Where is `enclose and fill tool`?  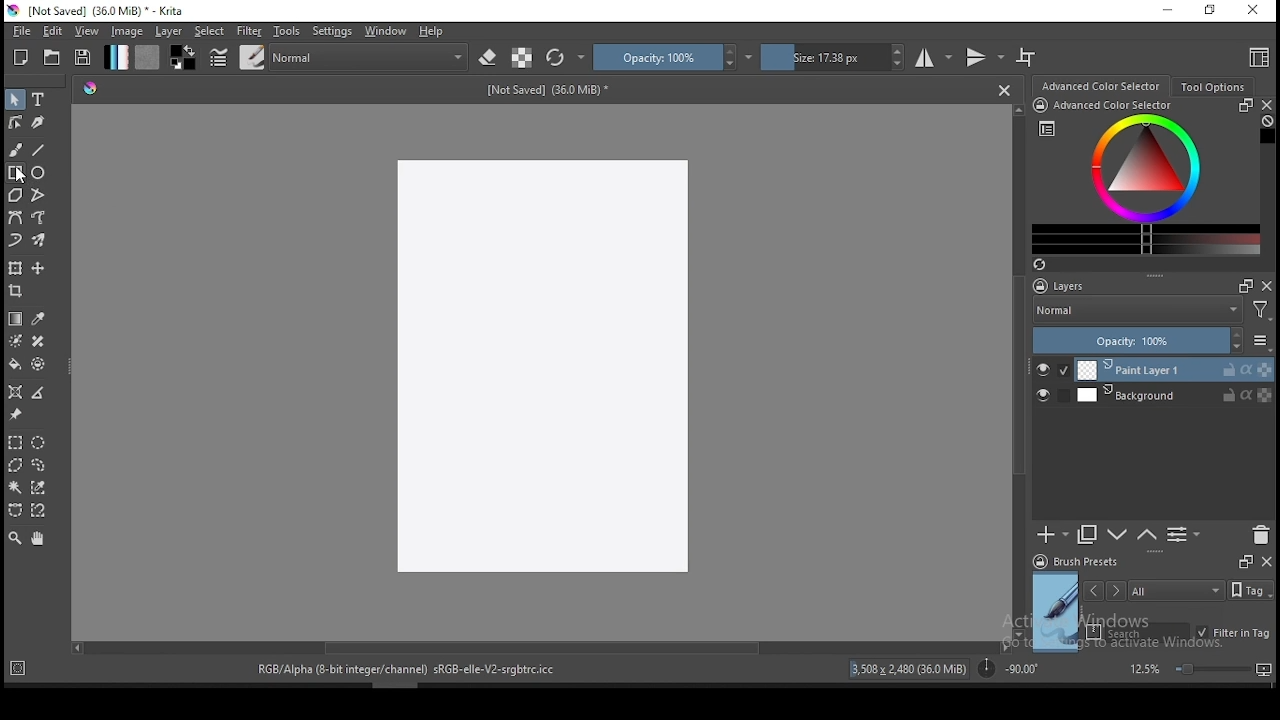 enclose and fill tool is located at coordinates (38, 364).